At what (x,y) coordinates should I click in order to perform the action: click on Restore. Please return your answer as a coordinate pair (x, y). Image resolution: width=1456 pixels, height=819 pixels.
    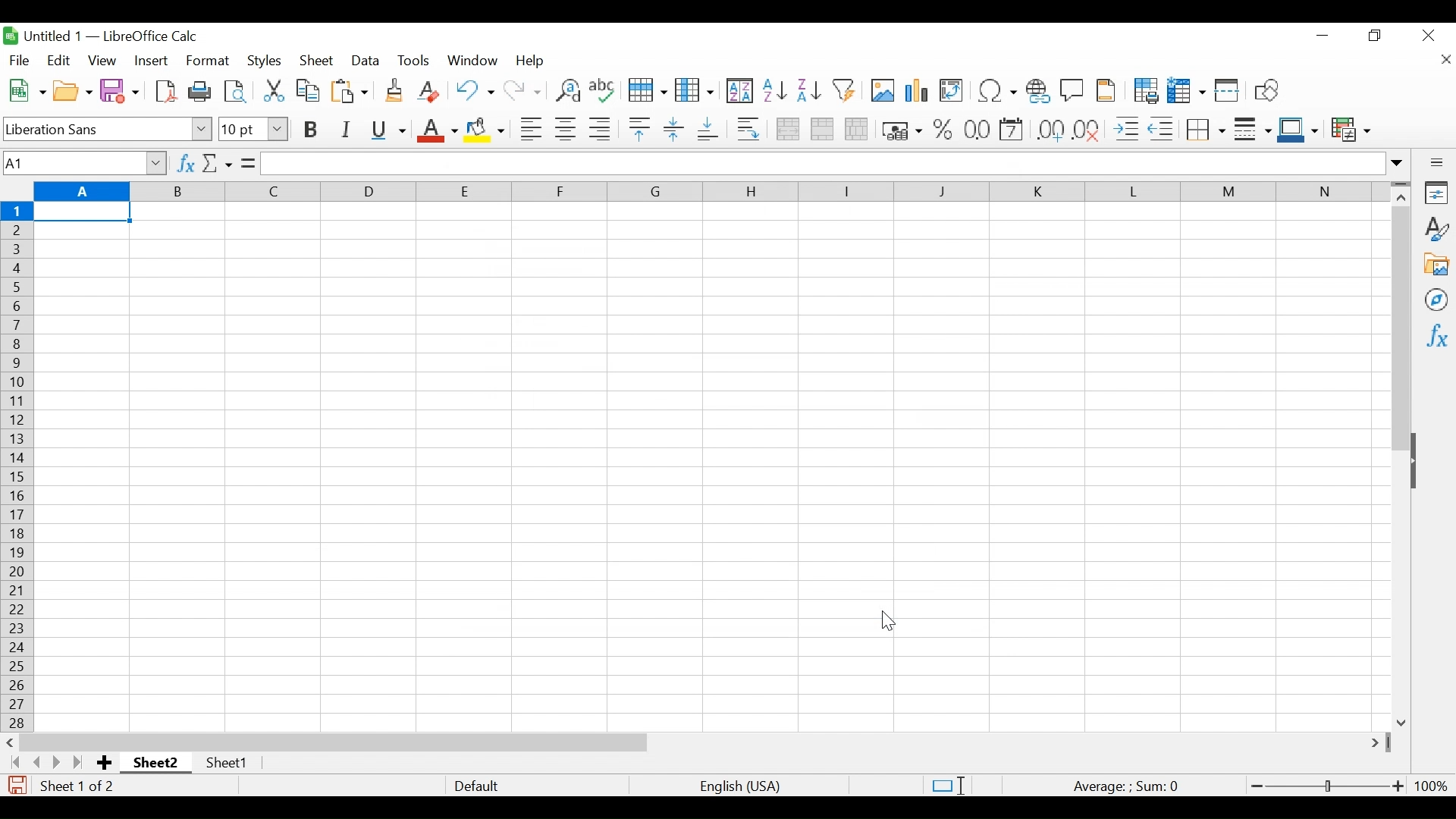
    Looking at the image, I should click on (1376, 37).